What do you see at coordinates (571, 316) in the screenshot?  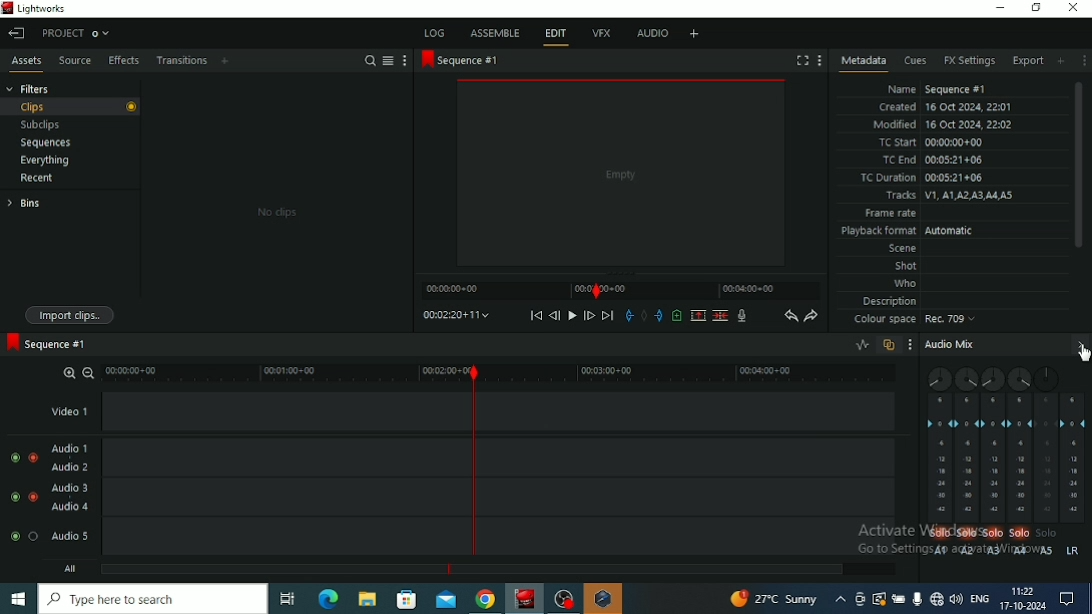 I see `Play` at bounding box center [571, 316].